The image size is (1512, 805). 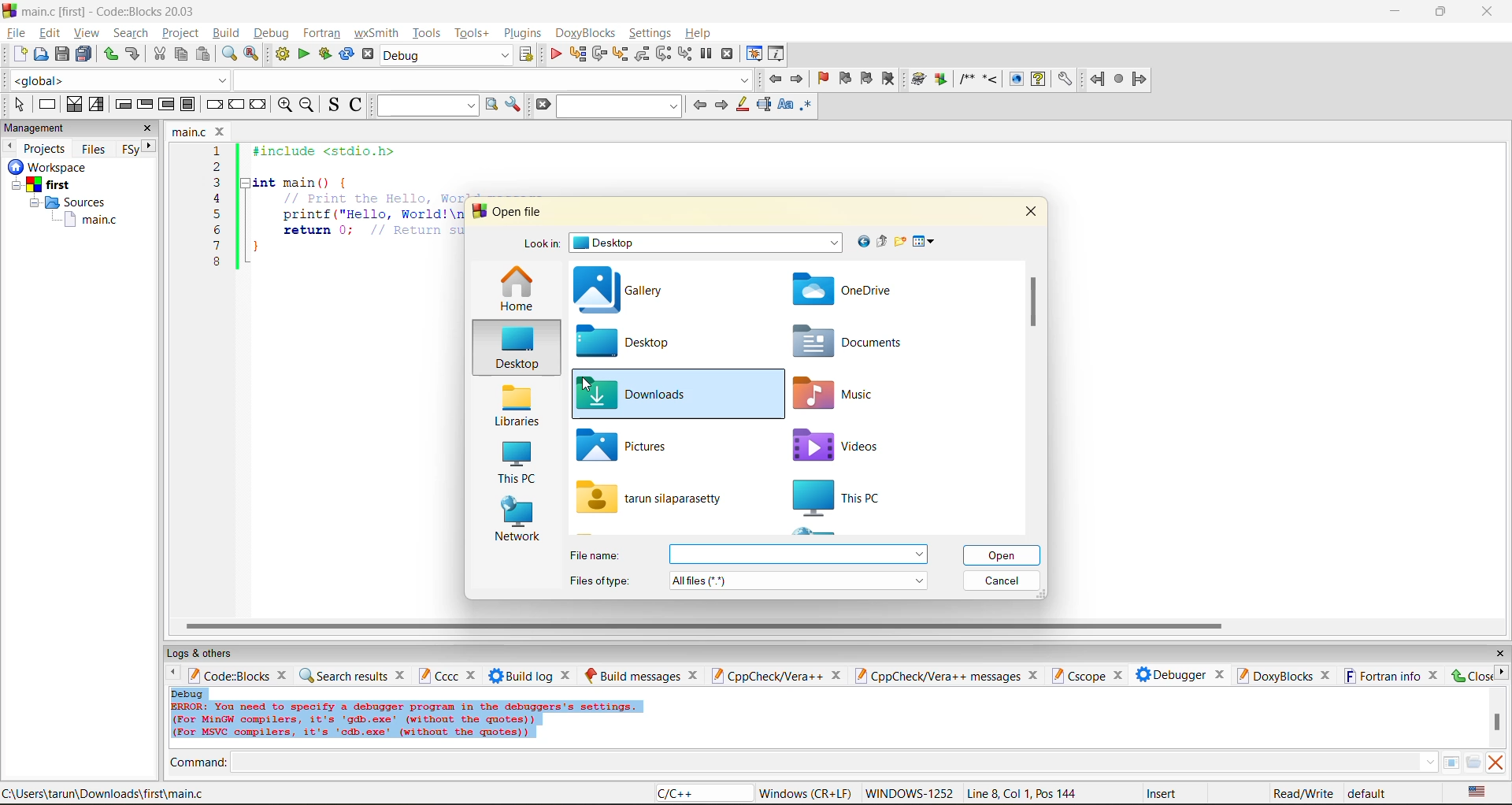 What do you see at coordinates (188, 693) in the screenshot?
I see `debug` at bounding box center [188, 693].